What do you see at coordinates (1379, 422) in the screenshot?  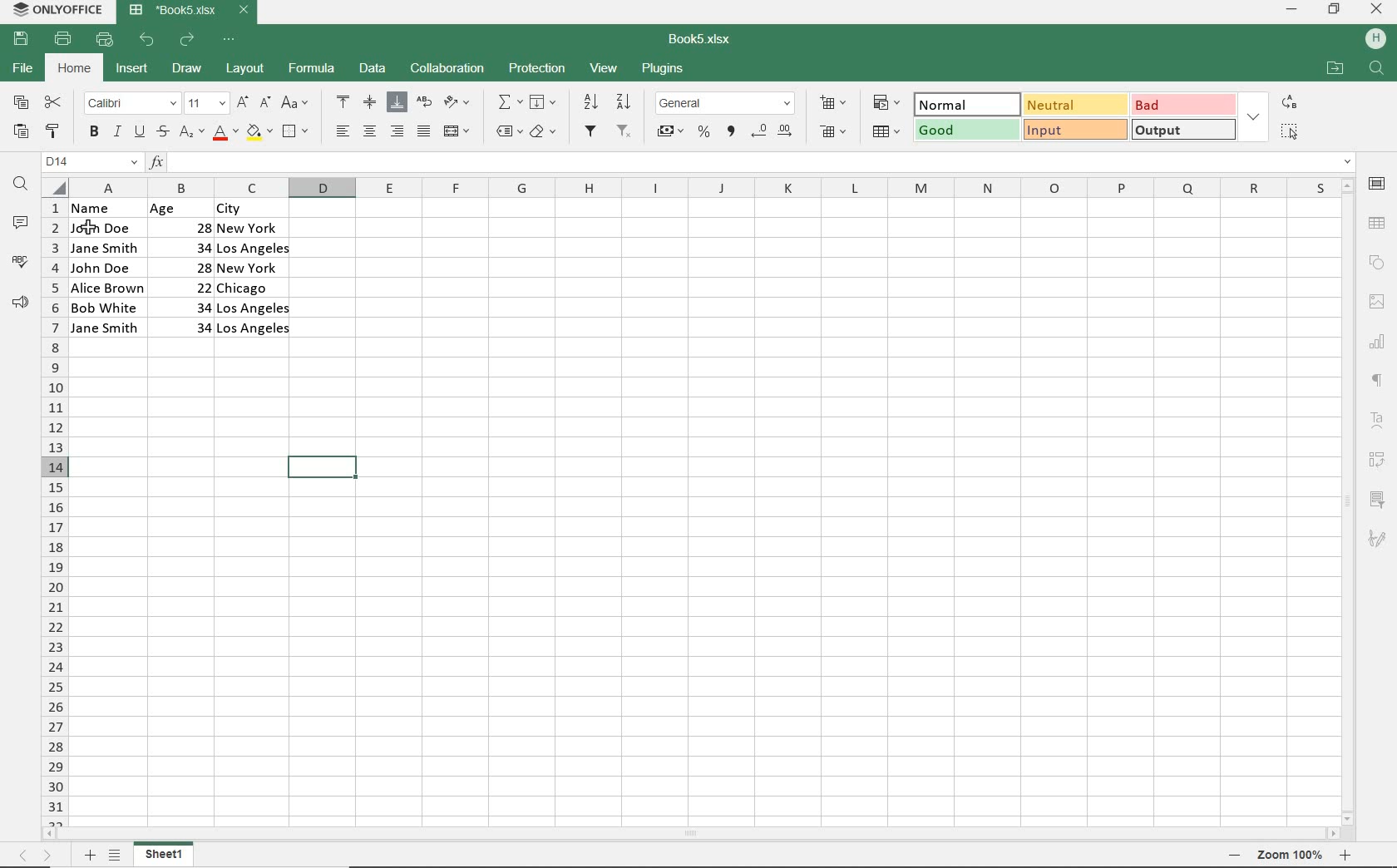 I see `TEXT ART` at bounding box center [1379, 422].